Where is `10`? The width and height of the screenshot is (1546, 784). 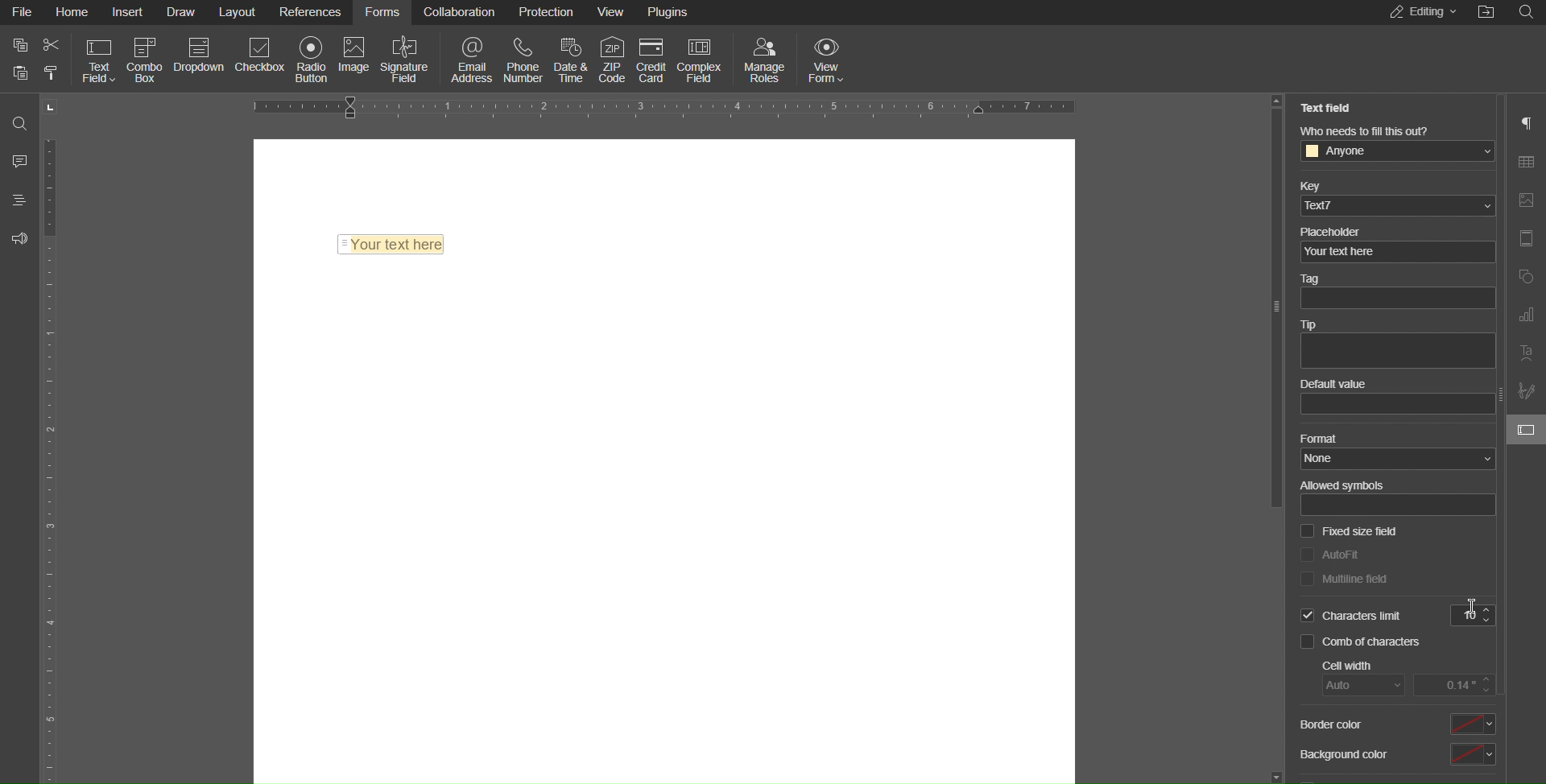 10 is located at coordinates (1473, 616).